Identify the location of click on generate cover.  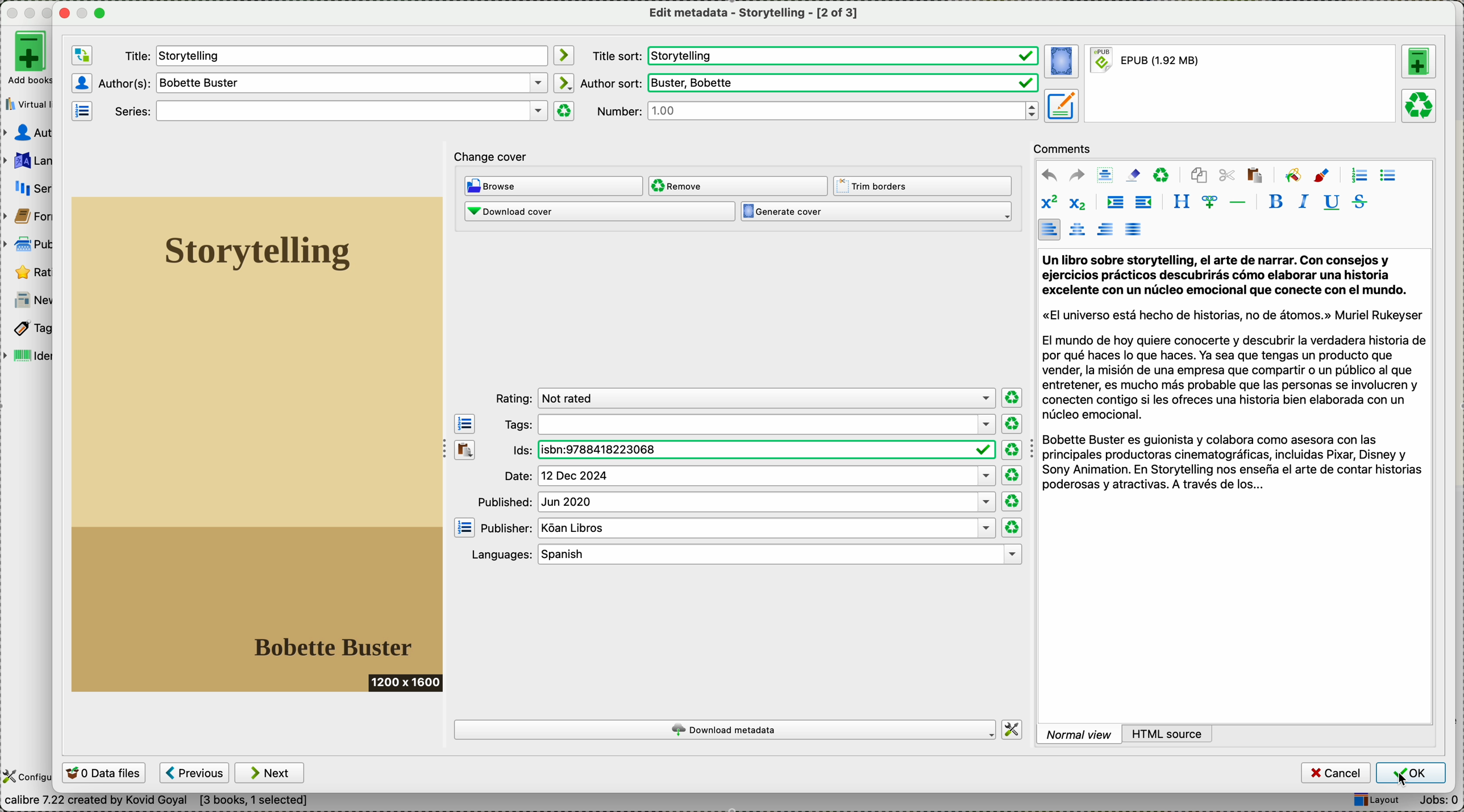
(880, 215).